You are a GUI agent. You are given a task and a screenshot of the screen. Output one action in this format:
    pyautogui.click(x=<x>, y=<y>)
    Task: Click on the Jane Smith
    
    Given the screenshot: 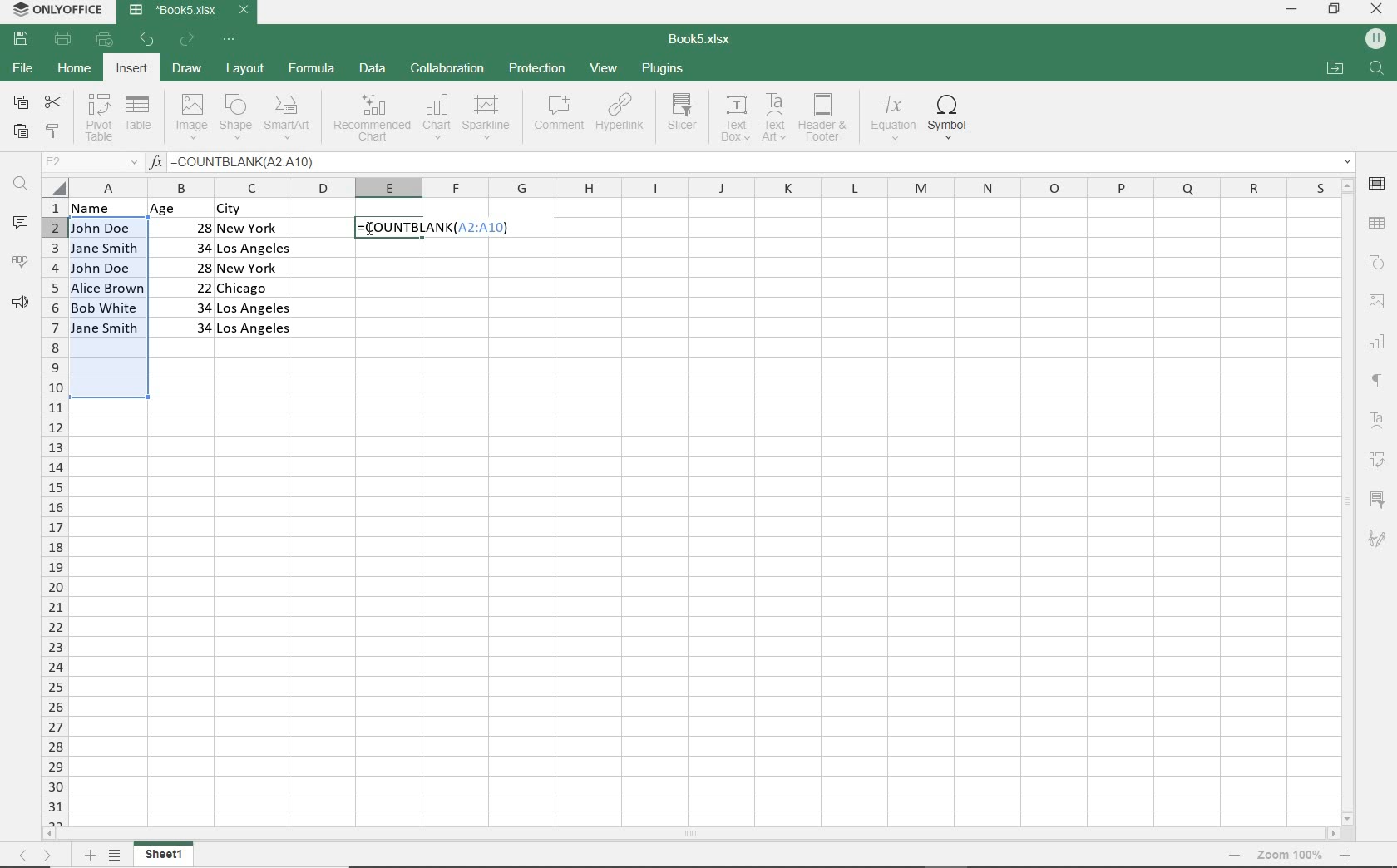 What is the action you would take?
    pyautogui.click(x=106, y=328)
    